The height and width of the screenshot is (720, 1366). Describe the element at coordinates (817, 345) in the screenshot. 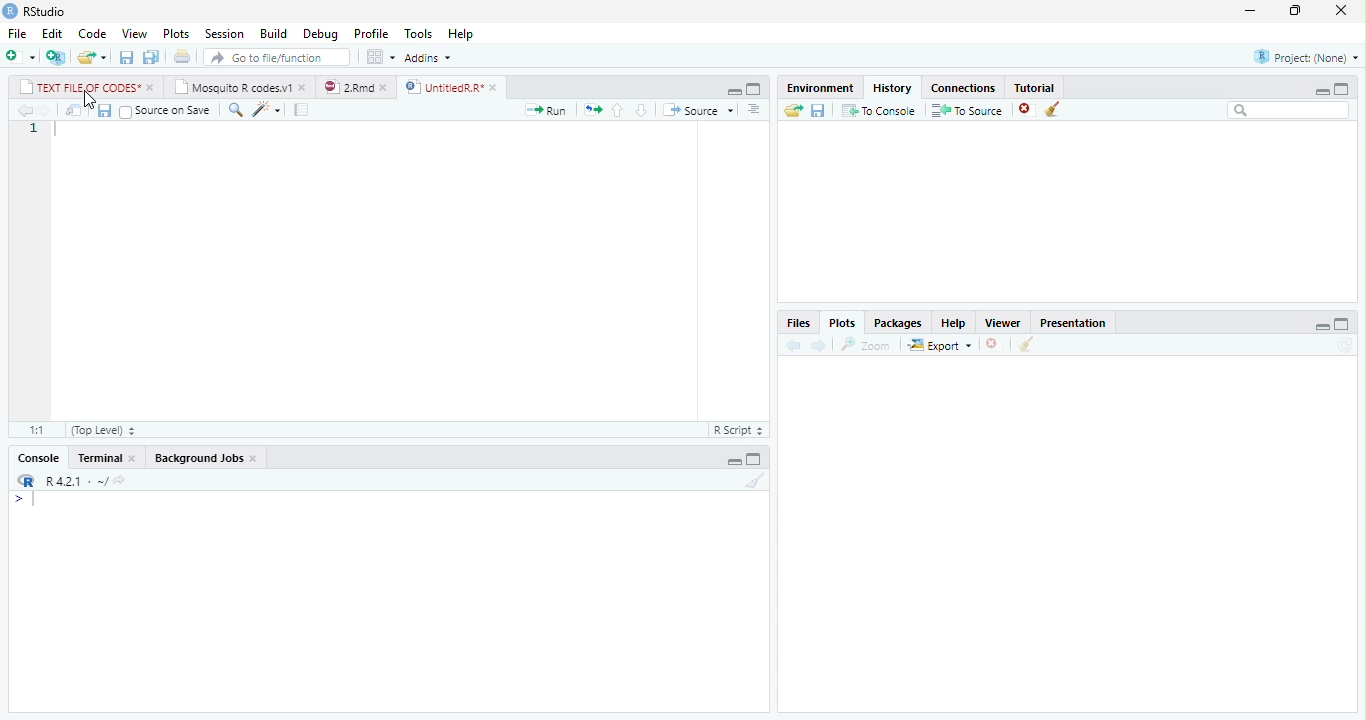

I see `forward` at that location.